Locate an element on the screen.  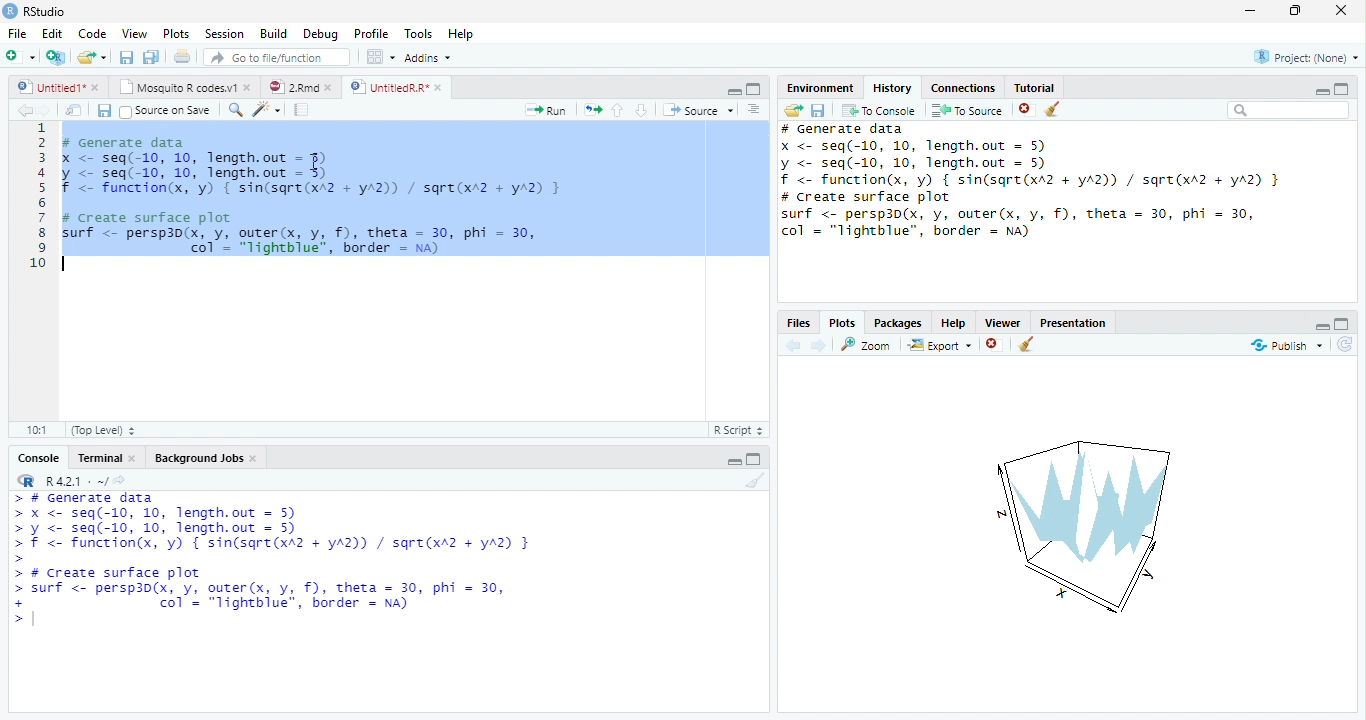
close is located at coordinates (329, 88).